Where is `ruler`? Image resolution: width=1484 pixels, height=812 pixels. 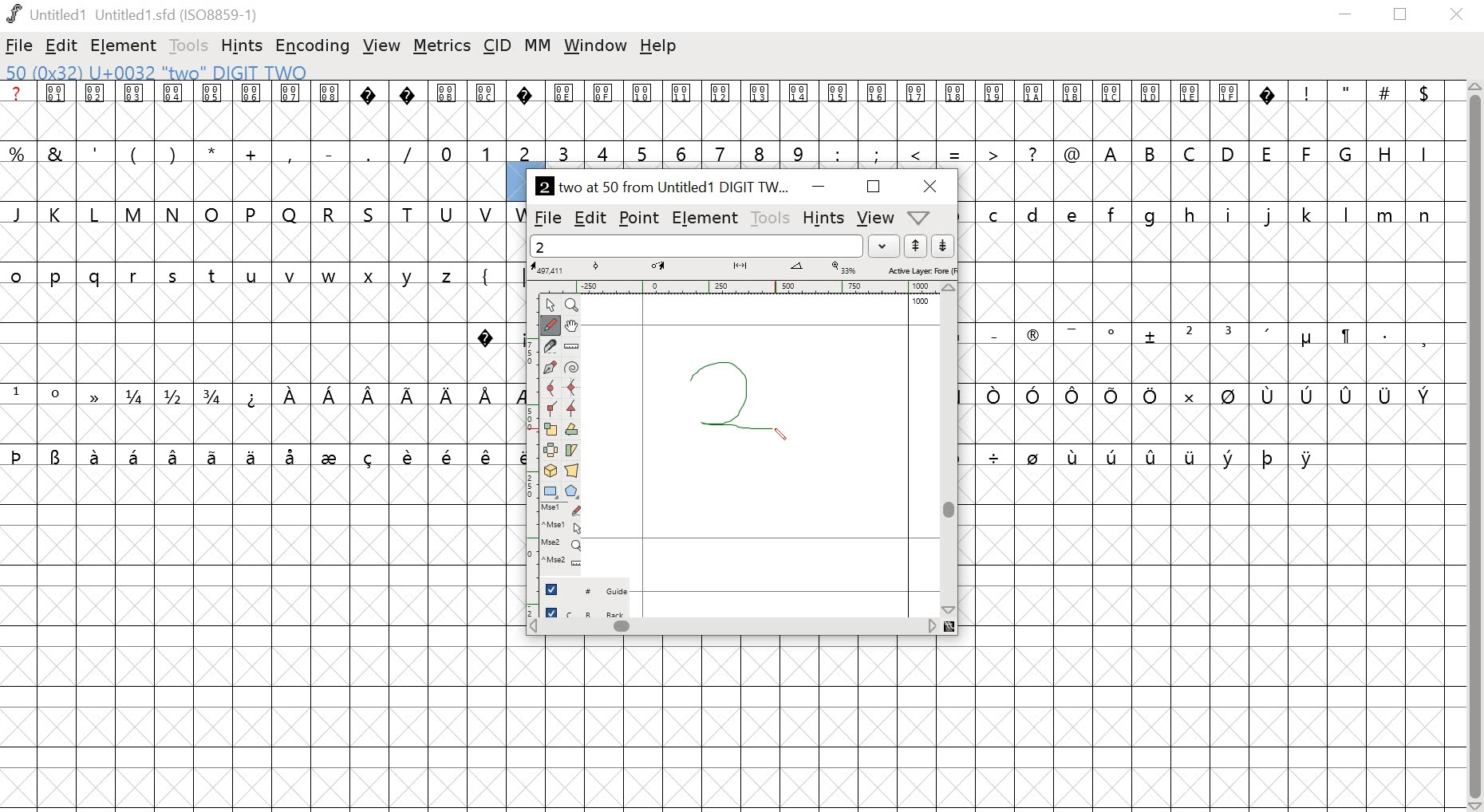 ruler is located at coordinates (570, 347).